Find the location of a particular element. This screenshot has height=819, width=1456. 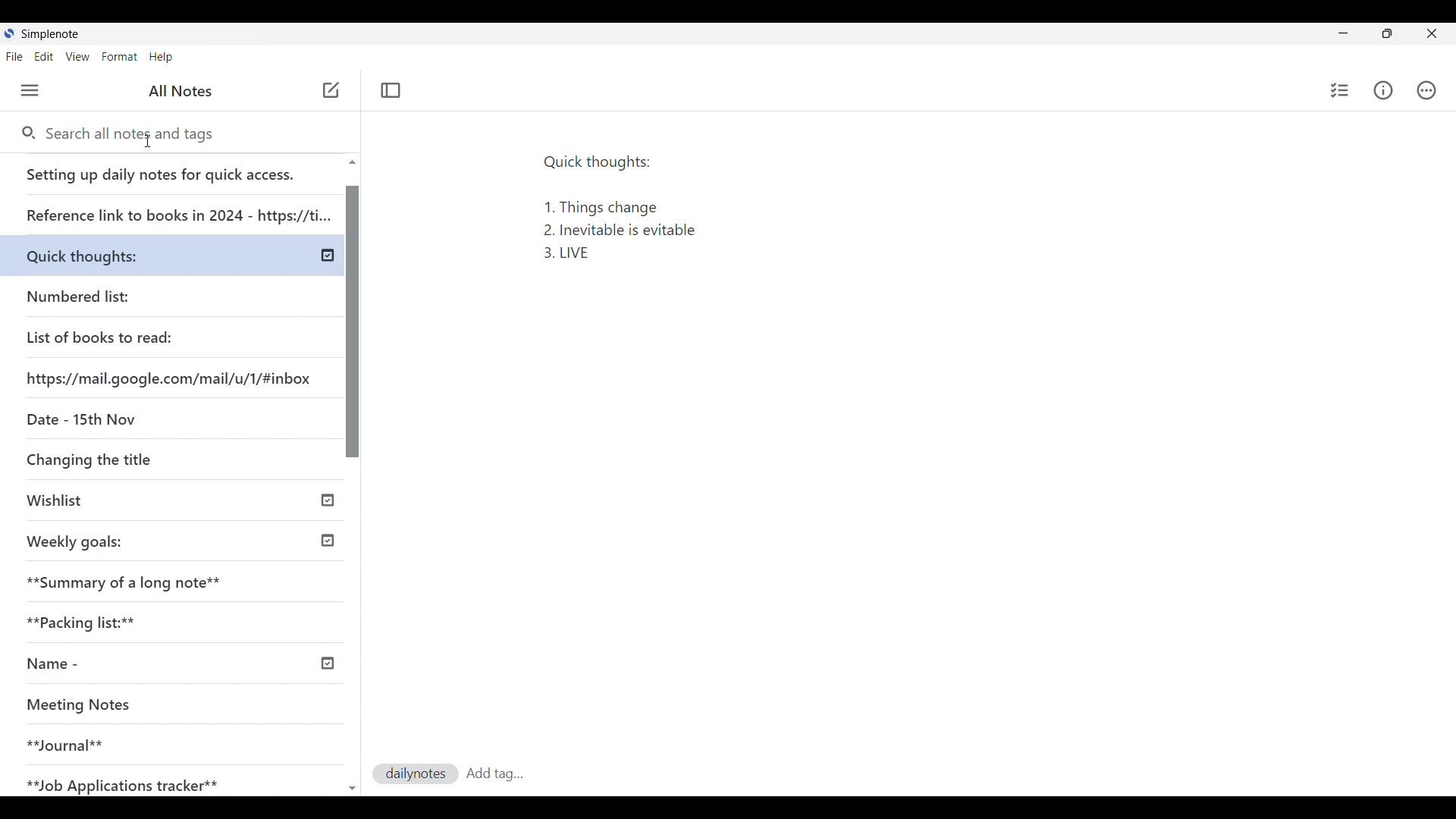

Quick thoughts:

1. Things change

2. Inevitable is evitable
3. LIVE is located at coordinates (620, 202).